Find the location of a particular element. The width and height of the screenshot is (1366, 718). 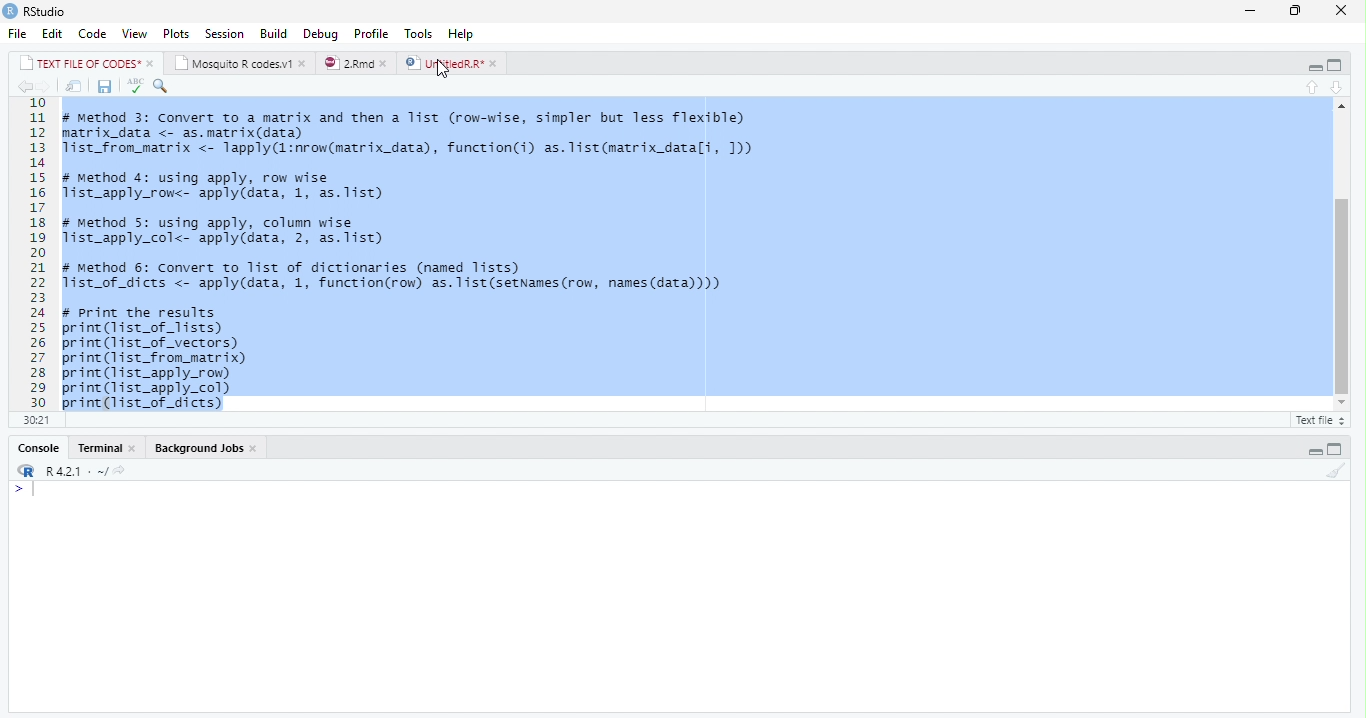

Code is located at coordinates (93, 33).